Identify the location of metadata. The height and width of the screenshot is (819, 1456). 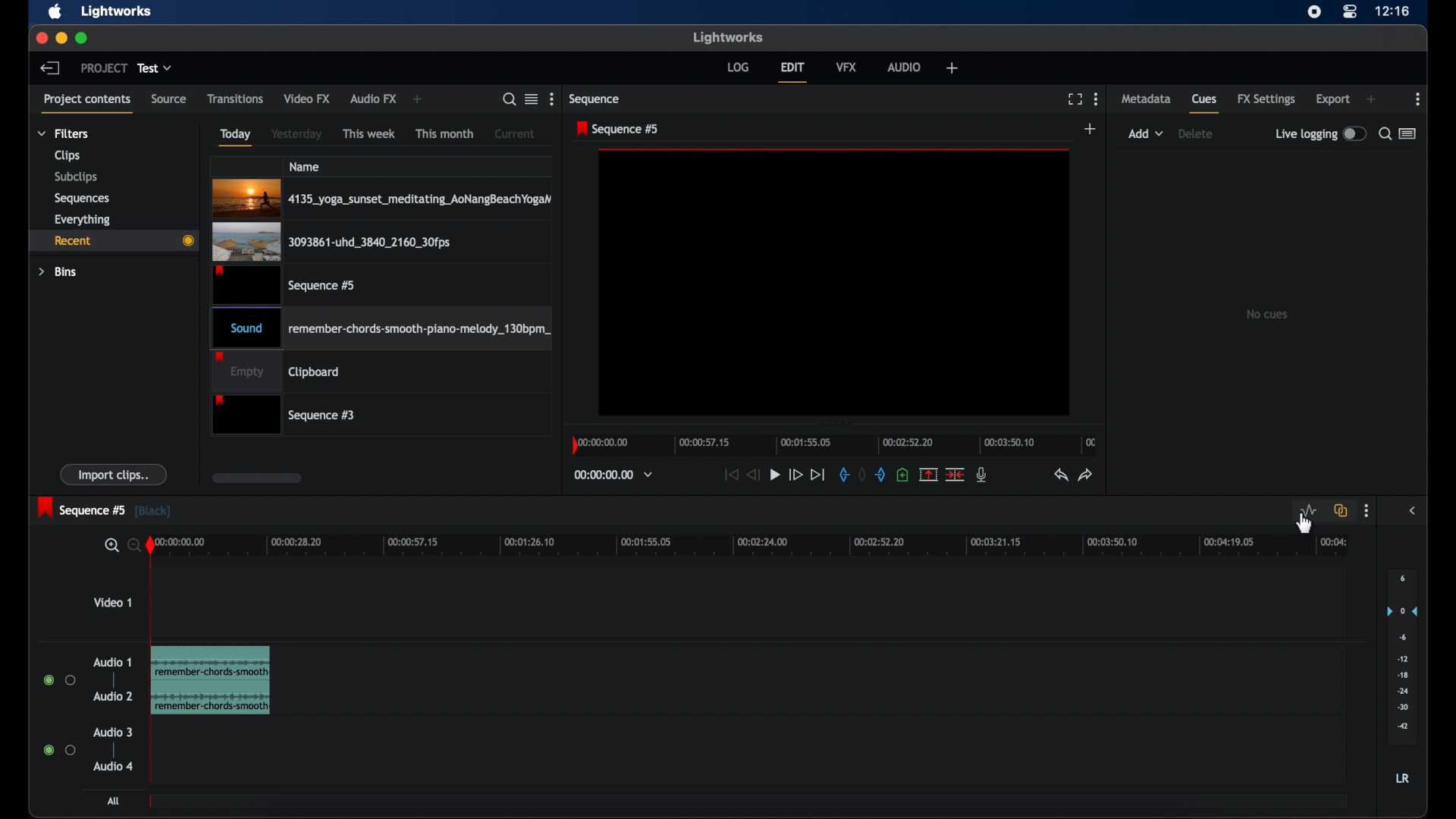
(1146, 98).